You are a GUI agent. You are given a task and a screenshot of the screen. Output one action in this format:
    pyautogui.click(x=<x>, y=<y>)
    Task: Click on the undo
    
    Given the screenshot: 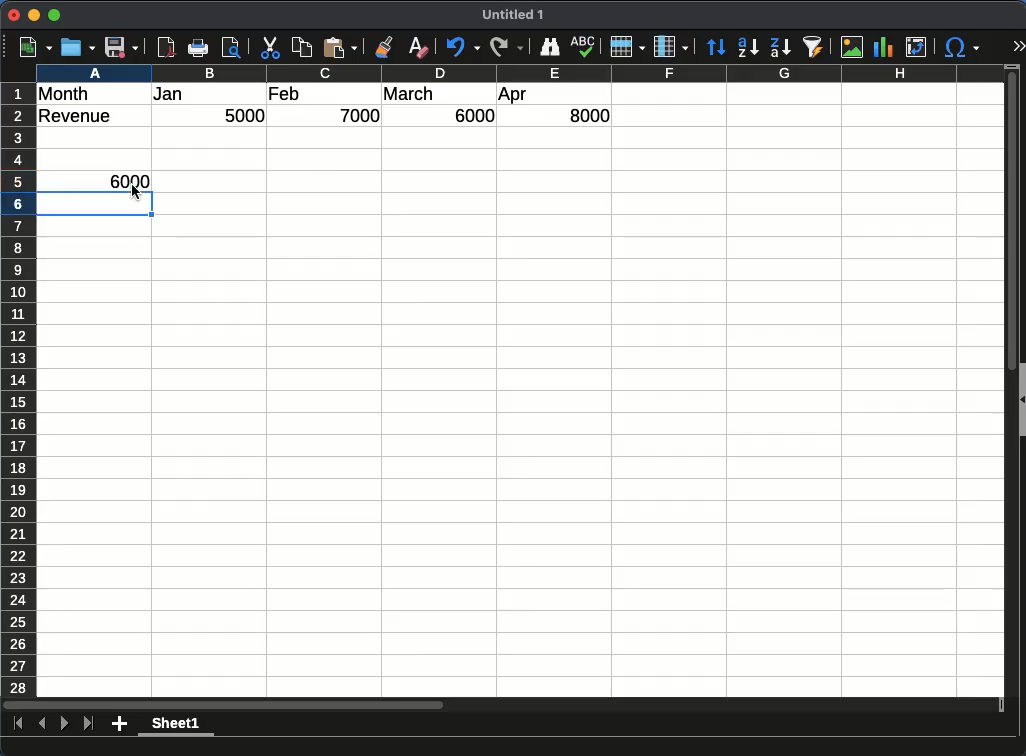 What is the action you would take?
    pyautogui.click(x=462, y=47)
    